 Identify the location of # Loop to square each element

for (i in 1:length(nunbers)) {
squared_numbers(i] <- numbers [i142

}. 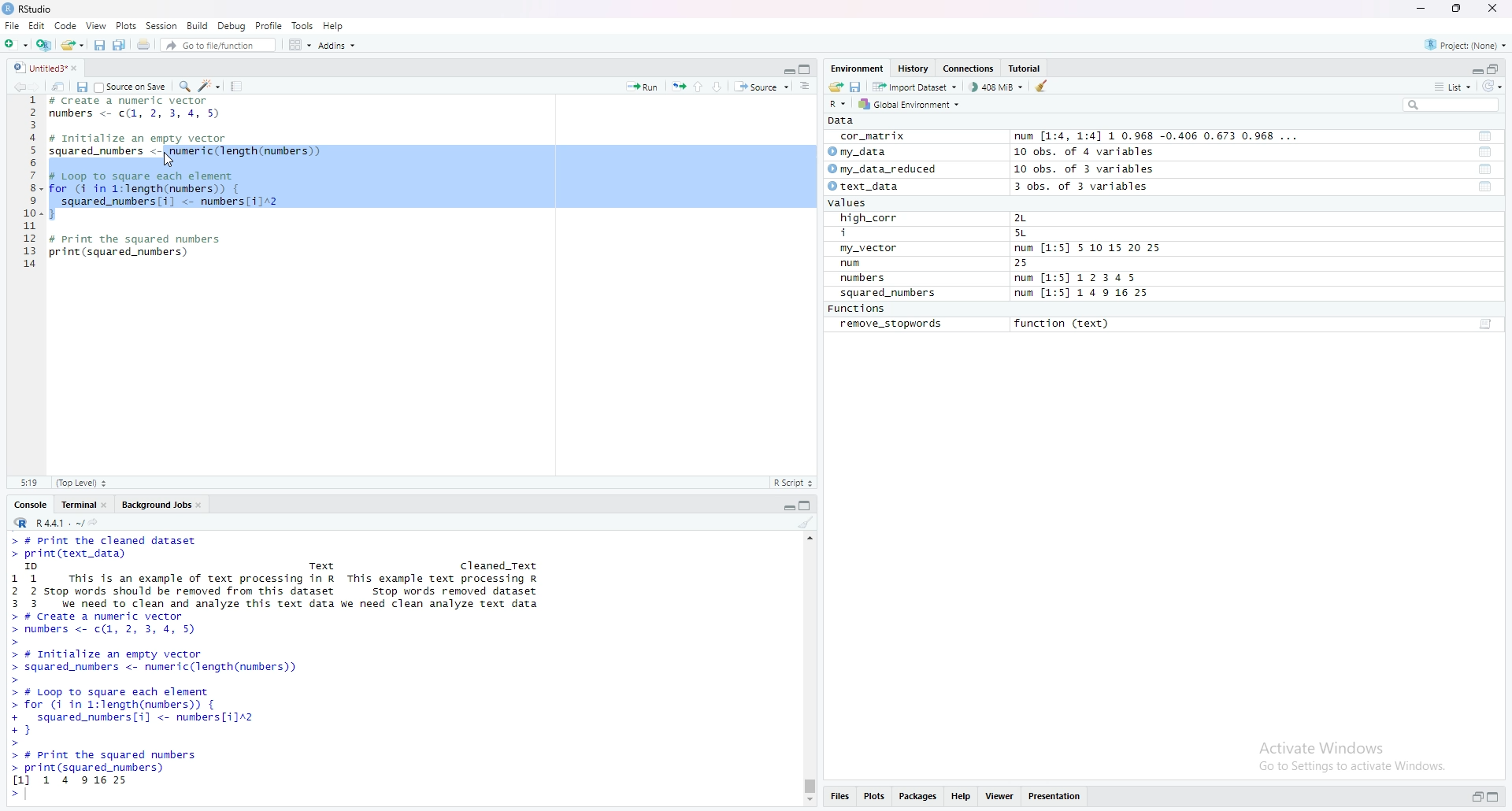
(168, 194).